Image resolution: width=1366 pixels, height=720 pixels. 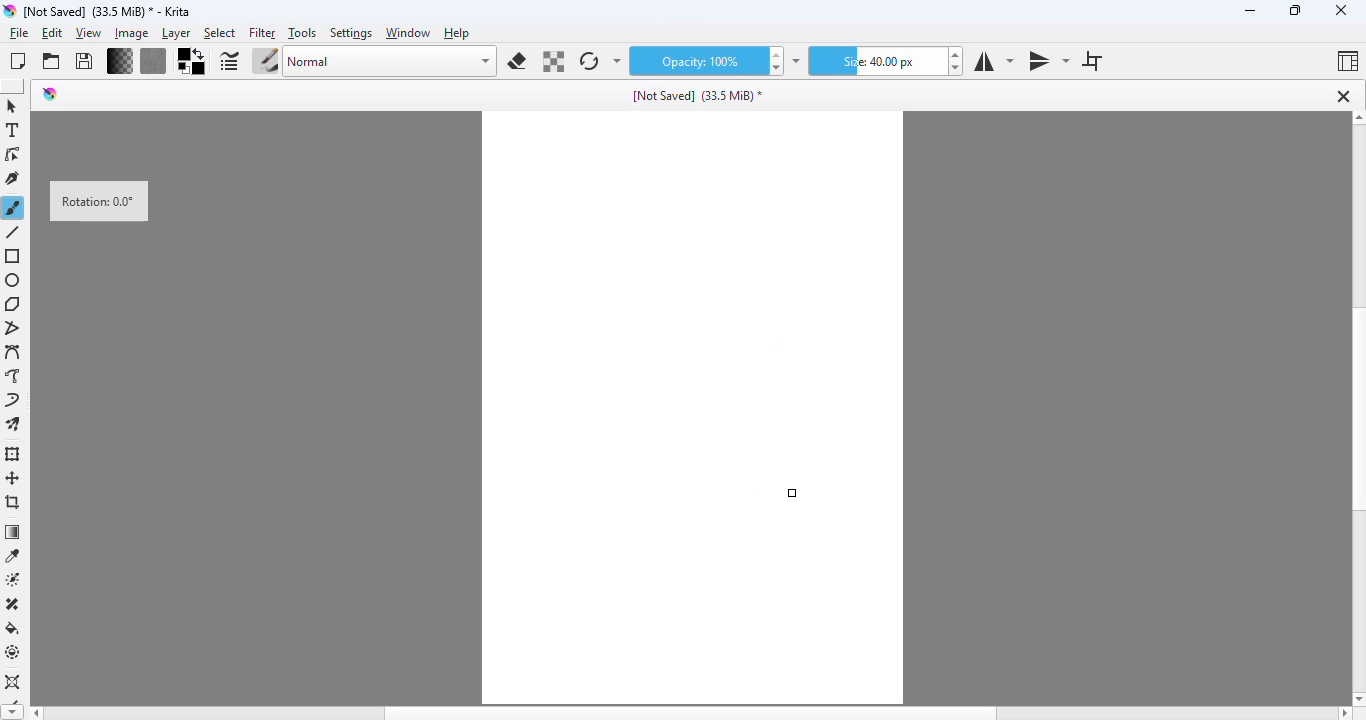 I want to click on multibrush tool, so click(x=15, y=425).